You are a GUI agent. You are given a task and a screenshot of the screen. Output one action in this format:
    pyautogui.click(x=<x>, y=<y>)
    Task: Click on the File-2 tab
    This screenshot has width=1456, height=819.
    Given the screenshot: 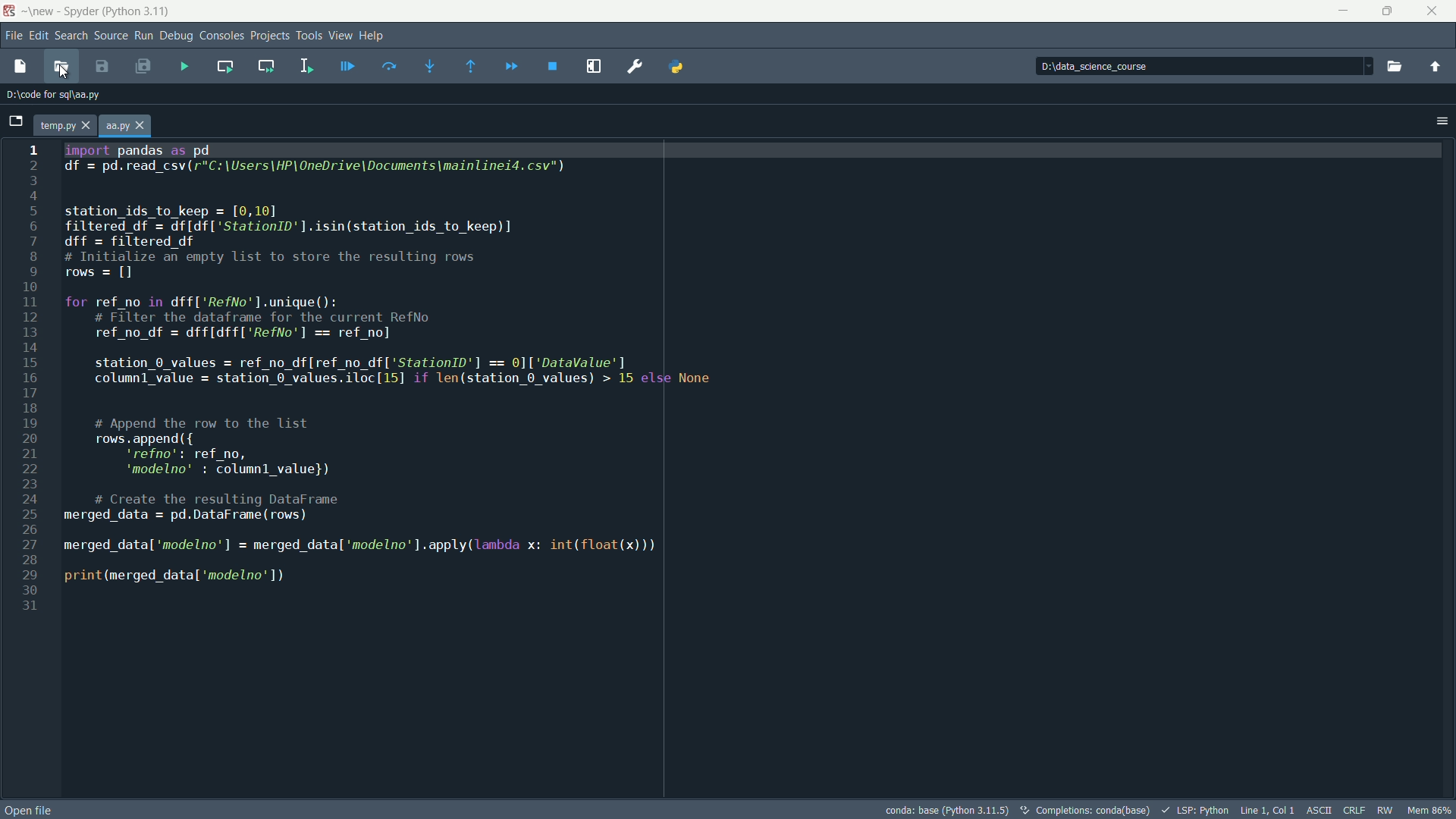 What is the action you would take?
    pyautogui.click(x=127, y=125)
    